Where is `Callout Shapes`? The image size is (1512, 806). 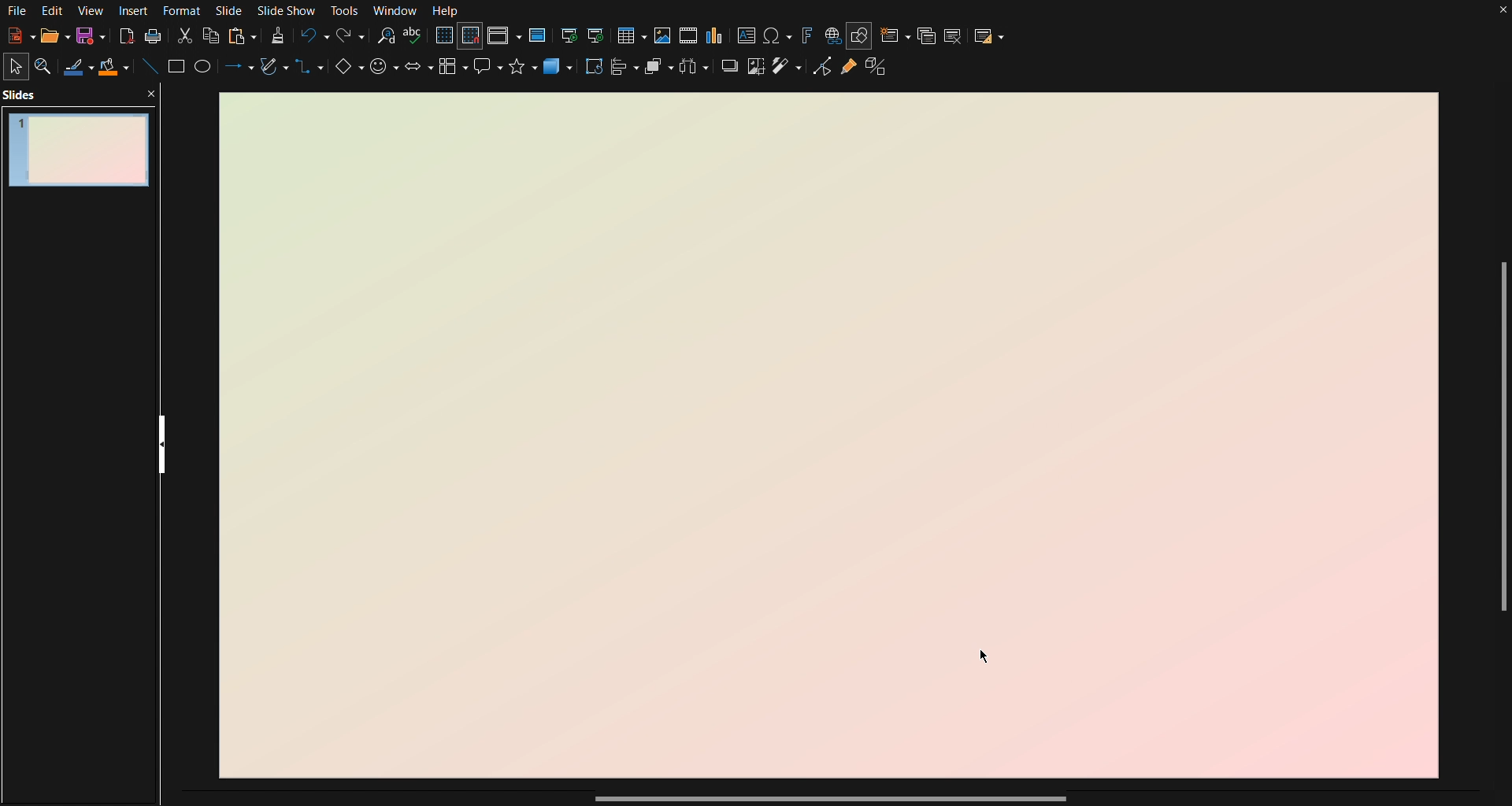 Callout Shapes is located at coordinates (489, 72).